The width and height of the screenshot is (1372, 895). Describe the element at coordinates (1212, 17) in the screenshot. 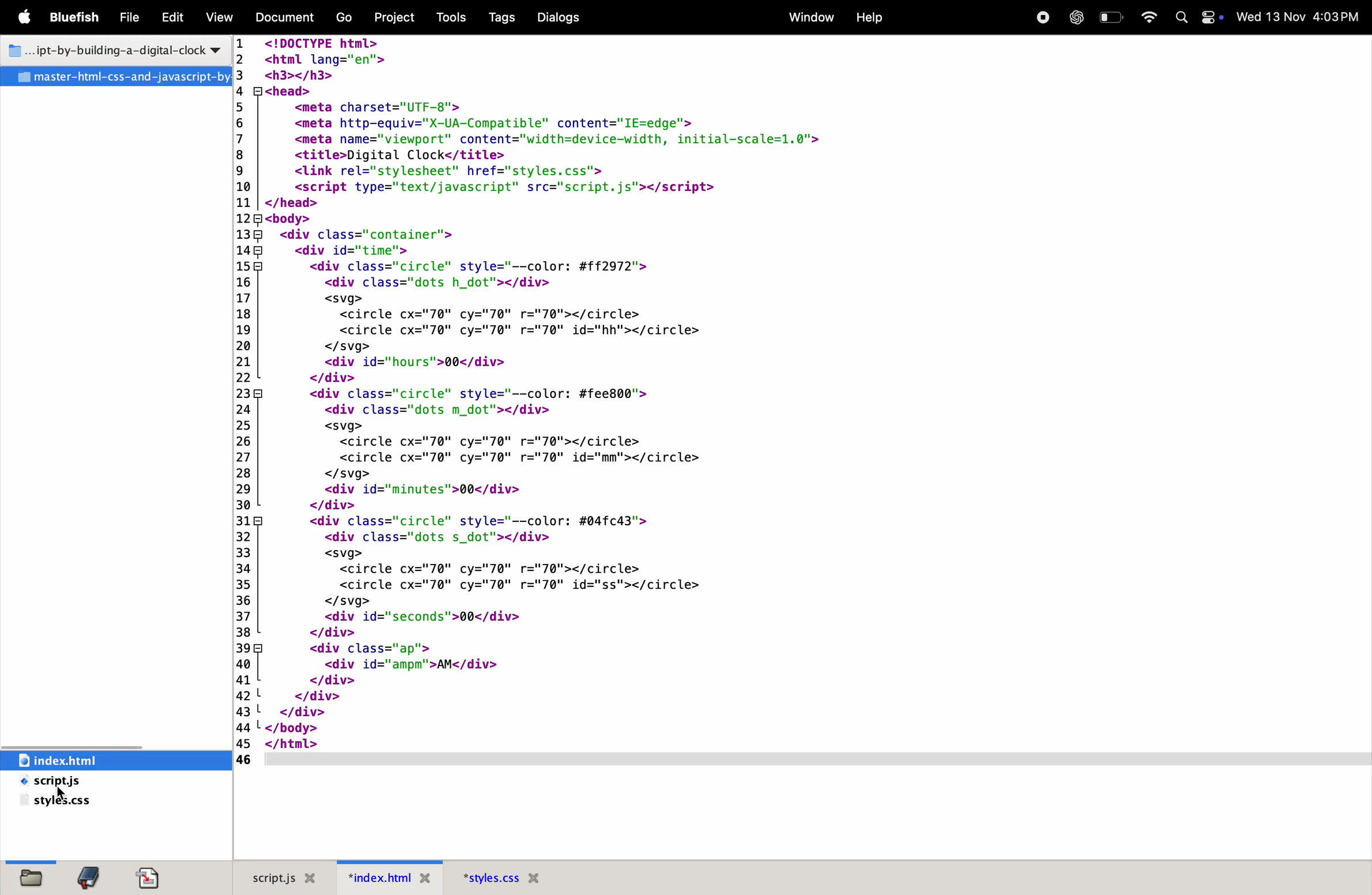

I see `apple widgets` at that location.